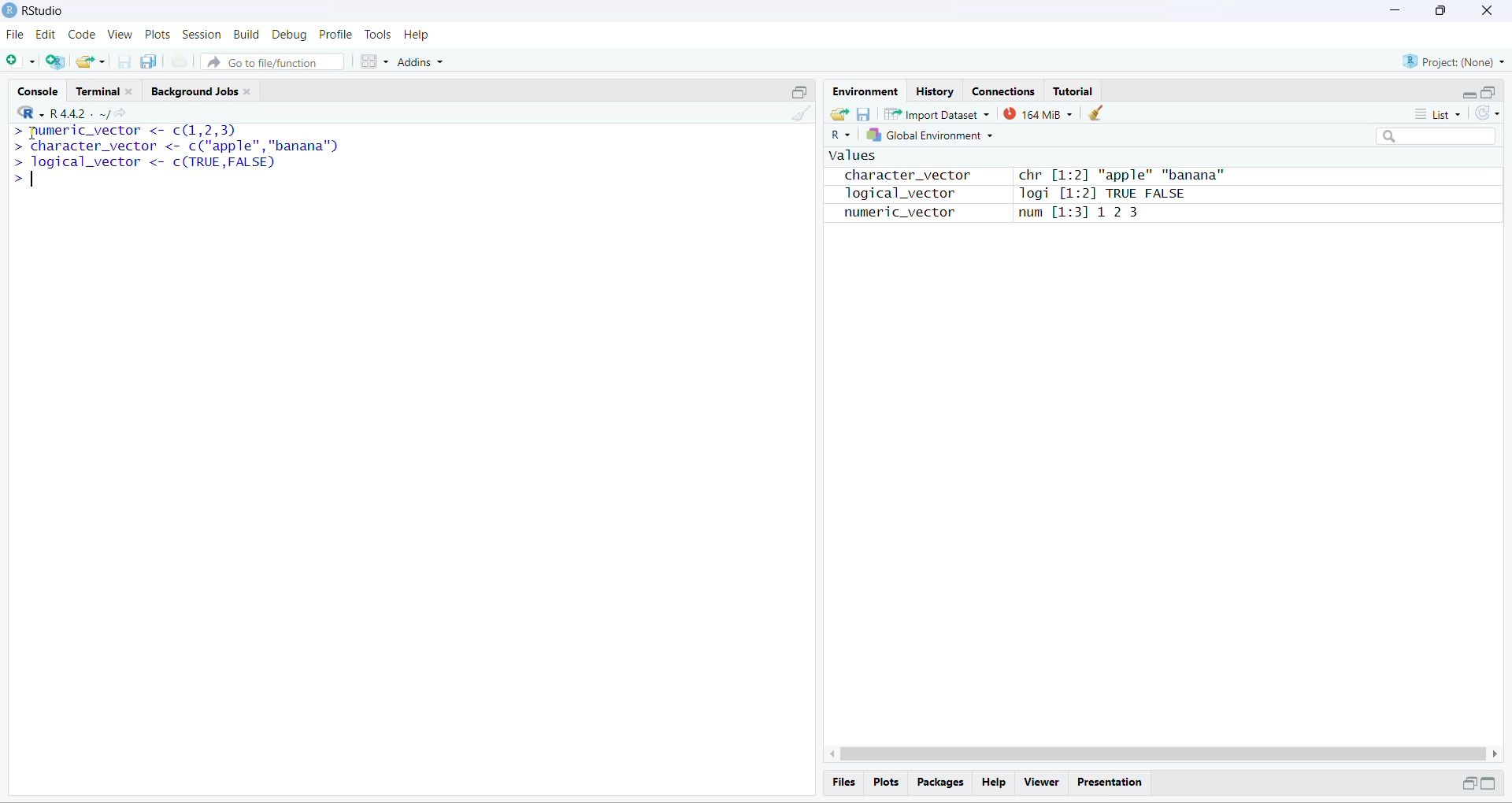 This screenshot has width=1512, height=803. What do you see at coordinates (799, 91) in the screenshot?
I see `maximize` at bounding box center [799, 91].